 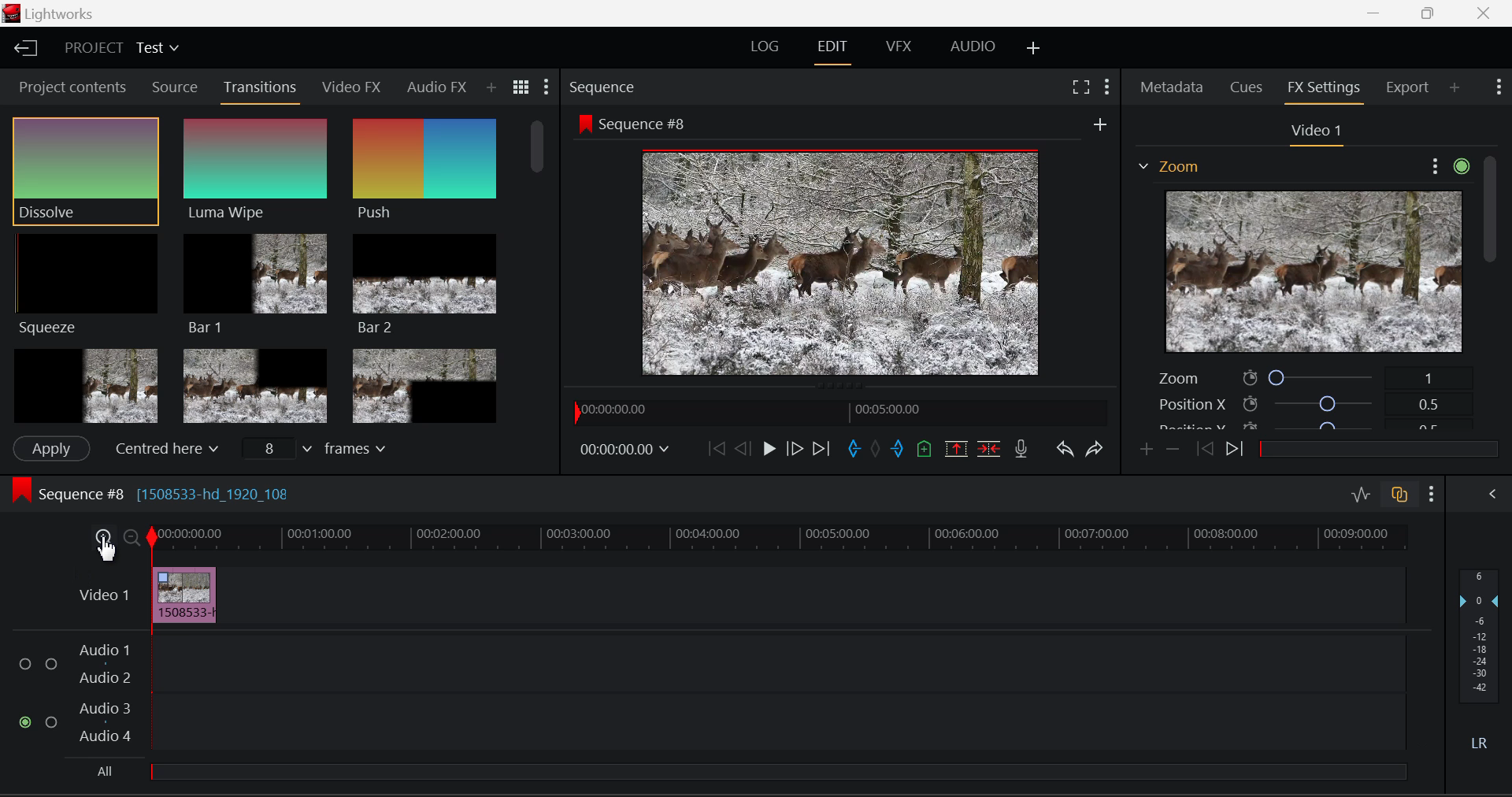 What do you see at coordinates (216, 496) in the screenshot?
I see `[1508533-hd_1920_108` at bounding box center [216, 496].